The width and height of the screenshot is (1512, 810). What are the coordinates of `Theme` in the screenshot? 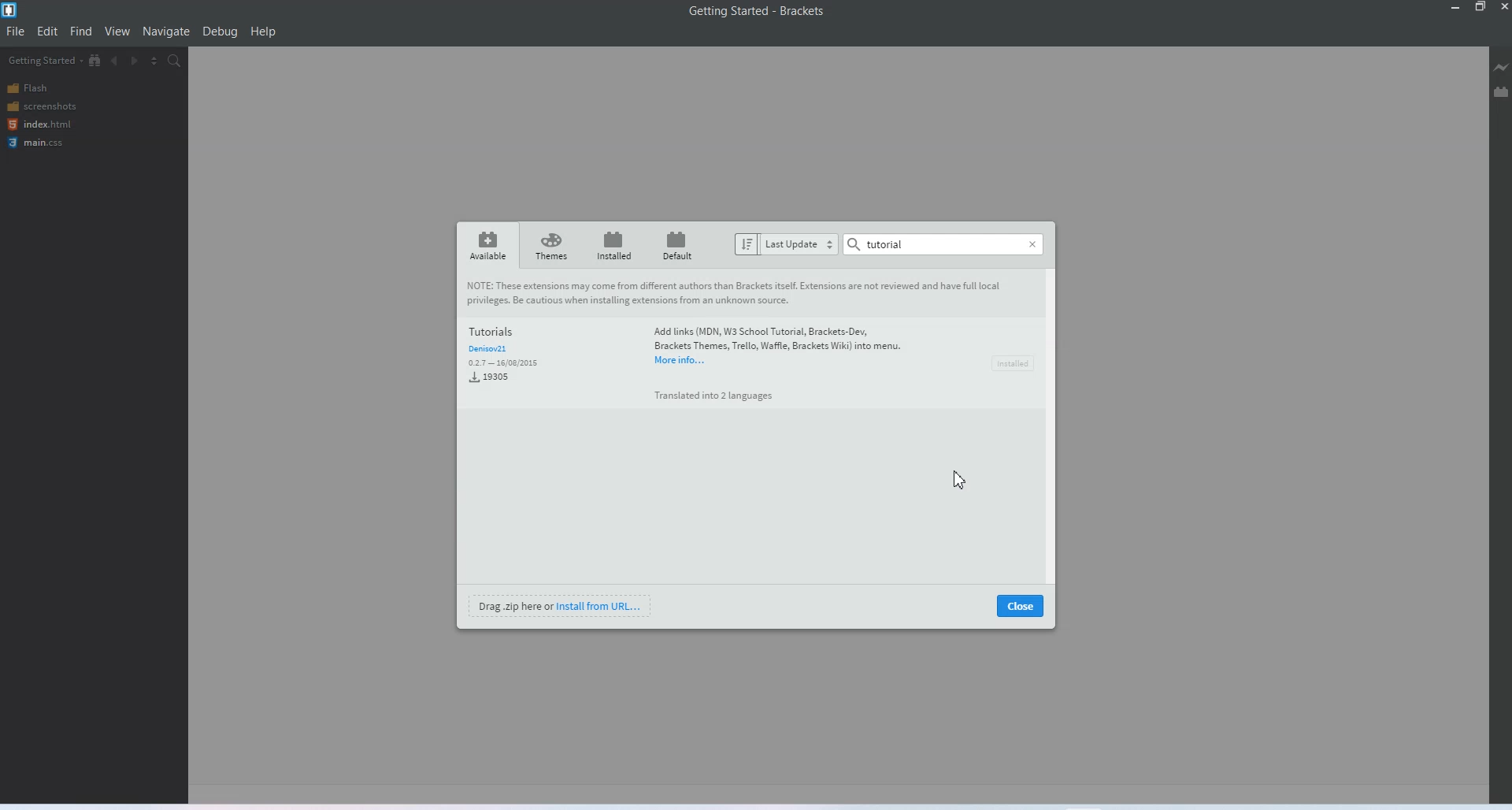 It's located at (551, 245).